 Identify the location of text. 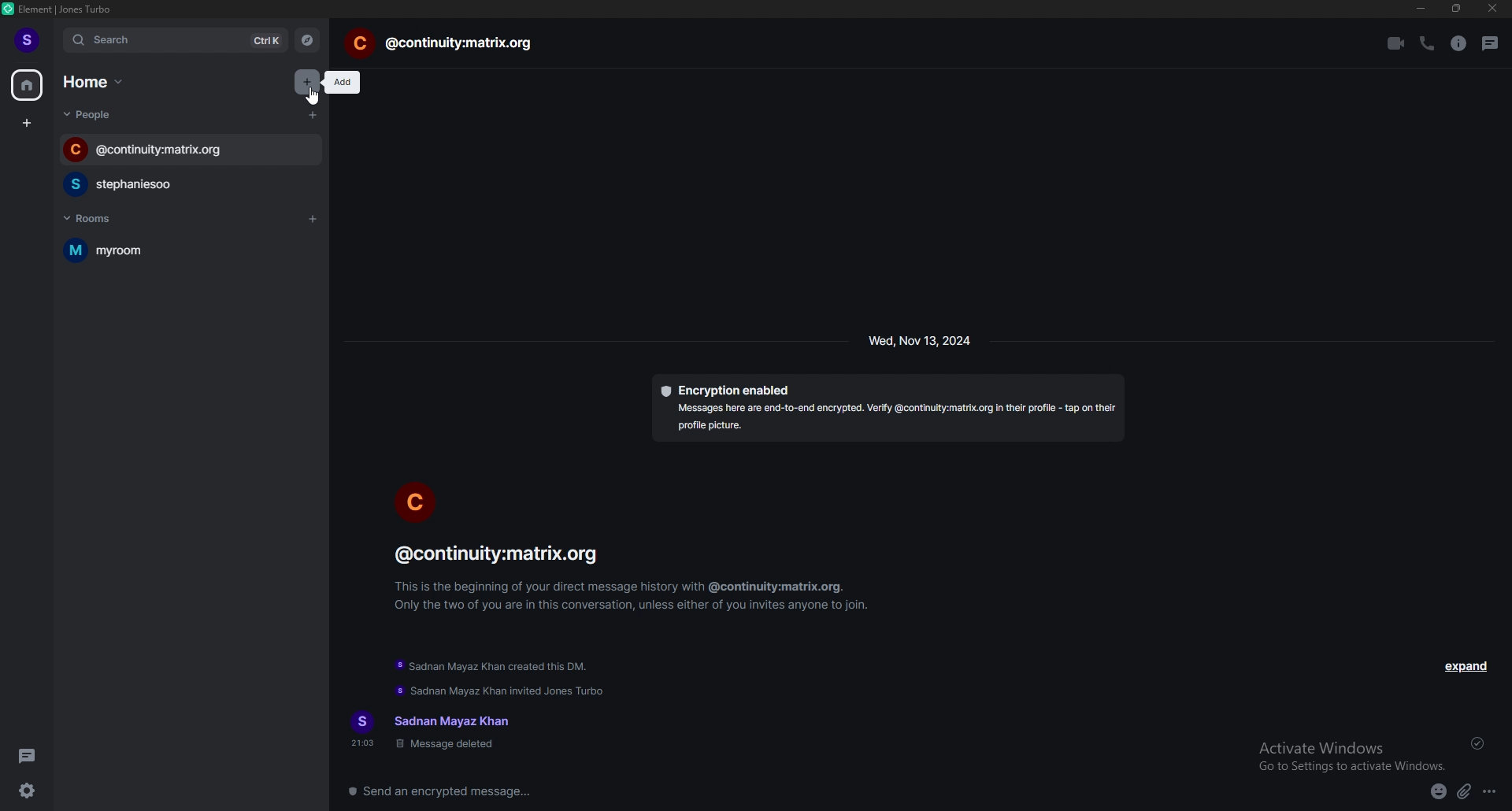
(435, 731).